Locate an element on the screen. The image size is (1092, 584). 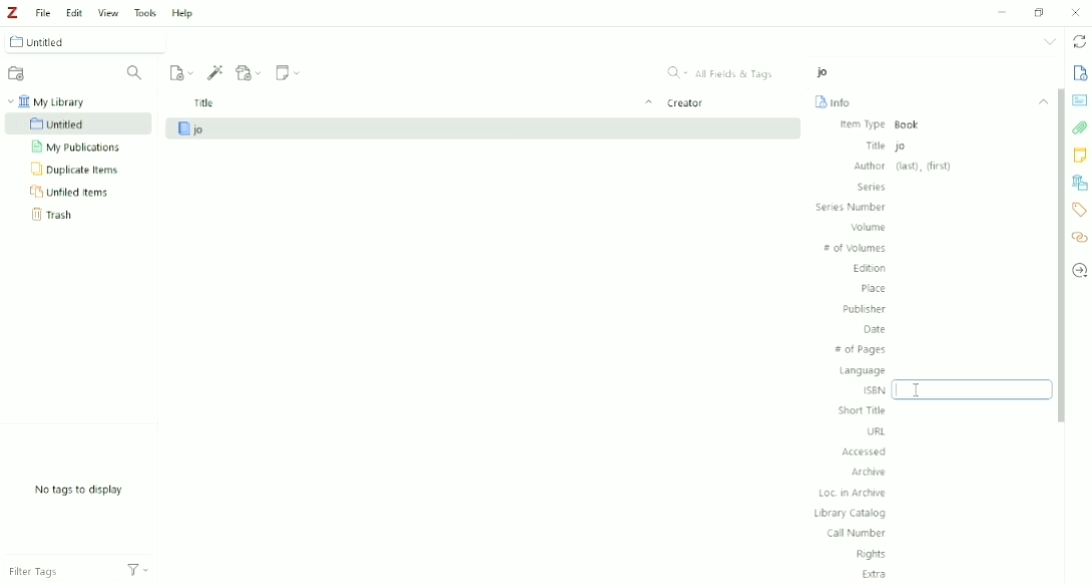
New Note is located at coordinates (289, 71).